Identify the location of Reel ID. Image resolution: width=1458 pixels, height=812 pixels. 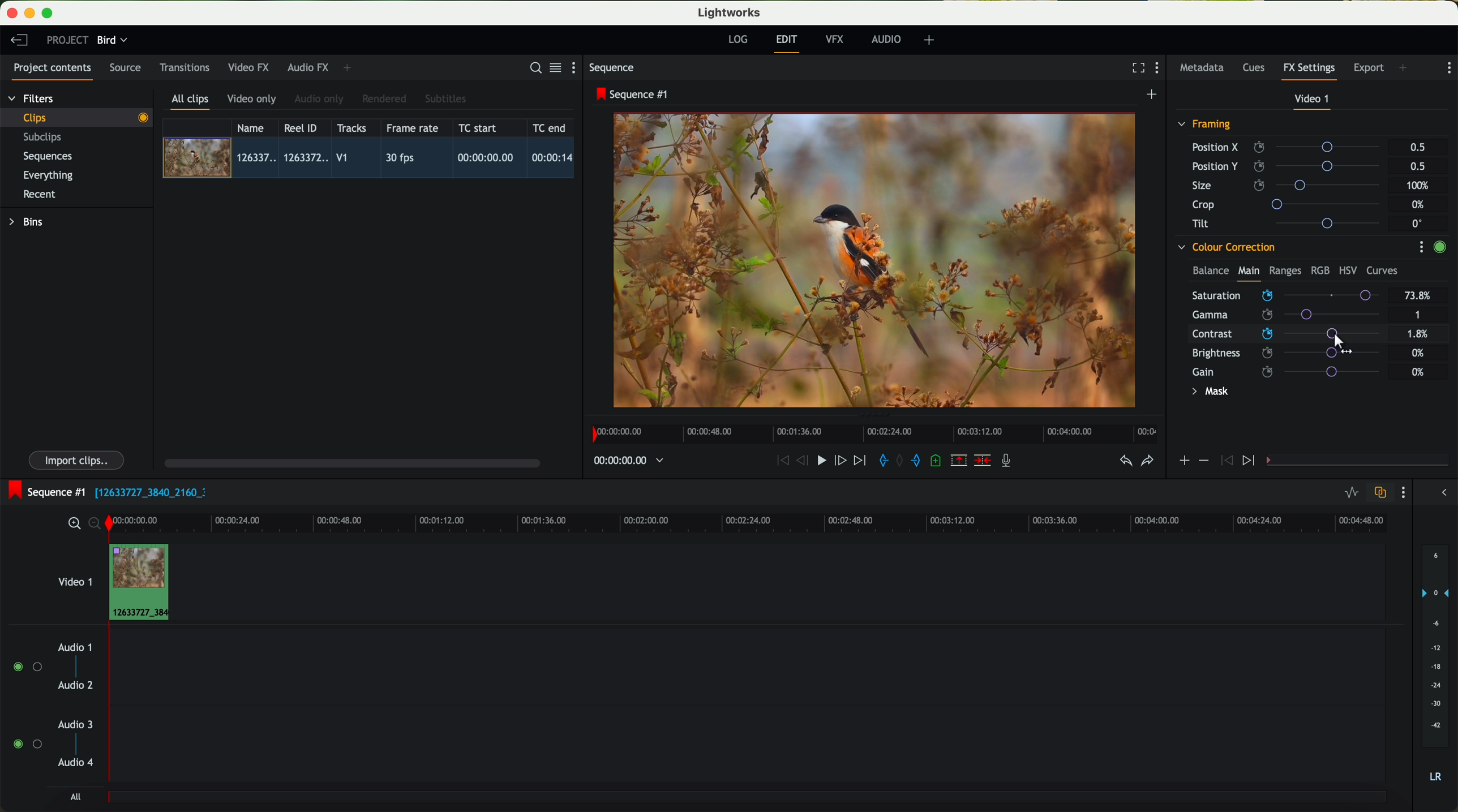
(303, 127).